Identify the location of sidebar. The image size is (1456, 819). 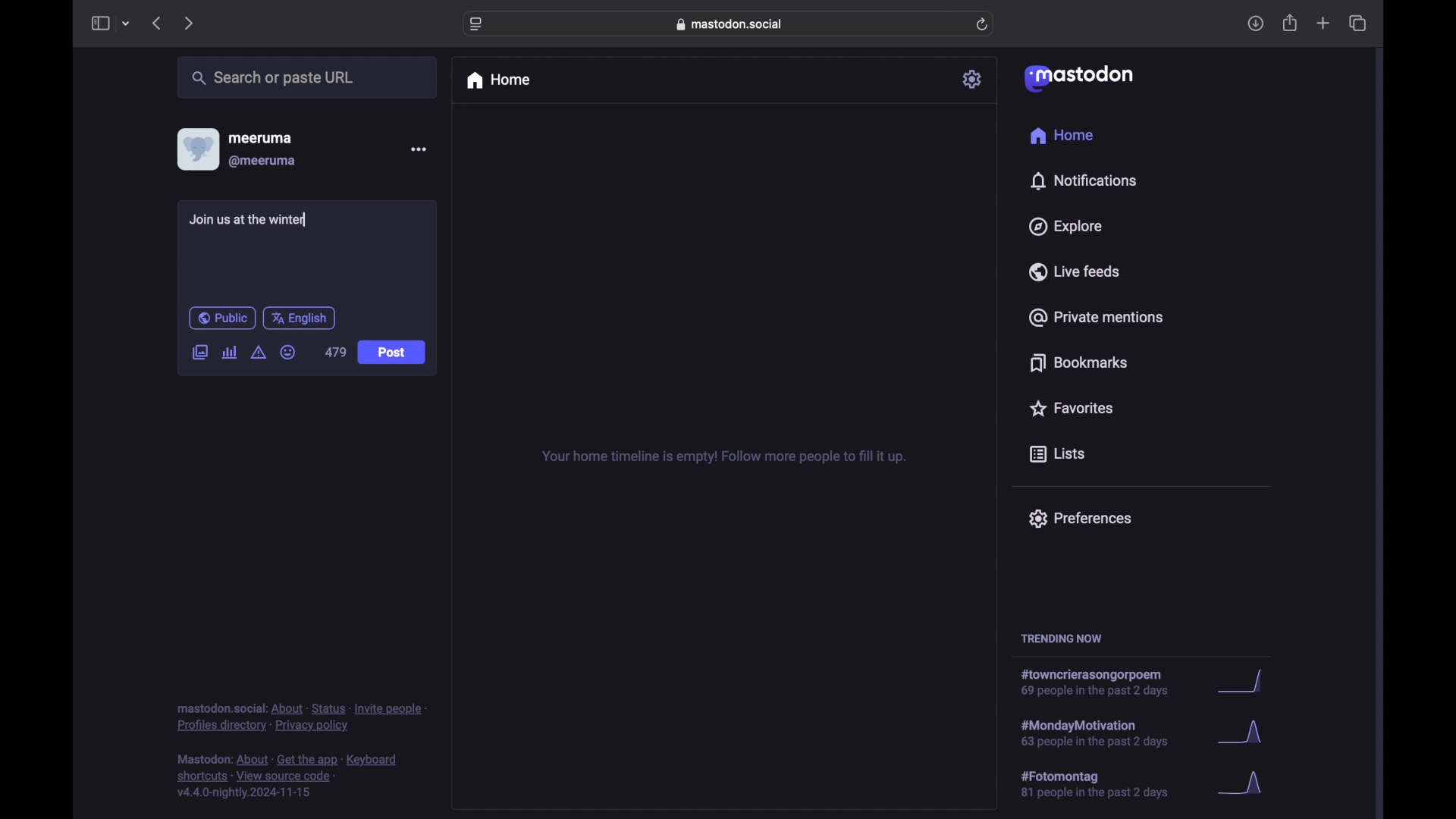
(99, 23).